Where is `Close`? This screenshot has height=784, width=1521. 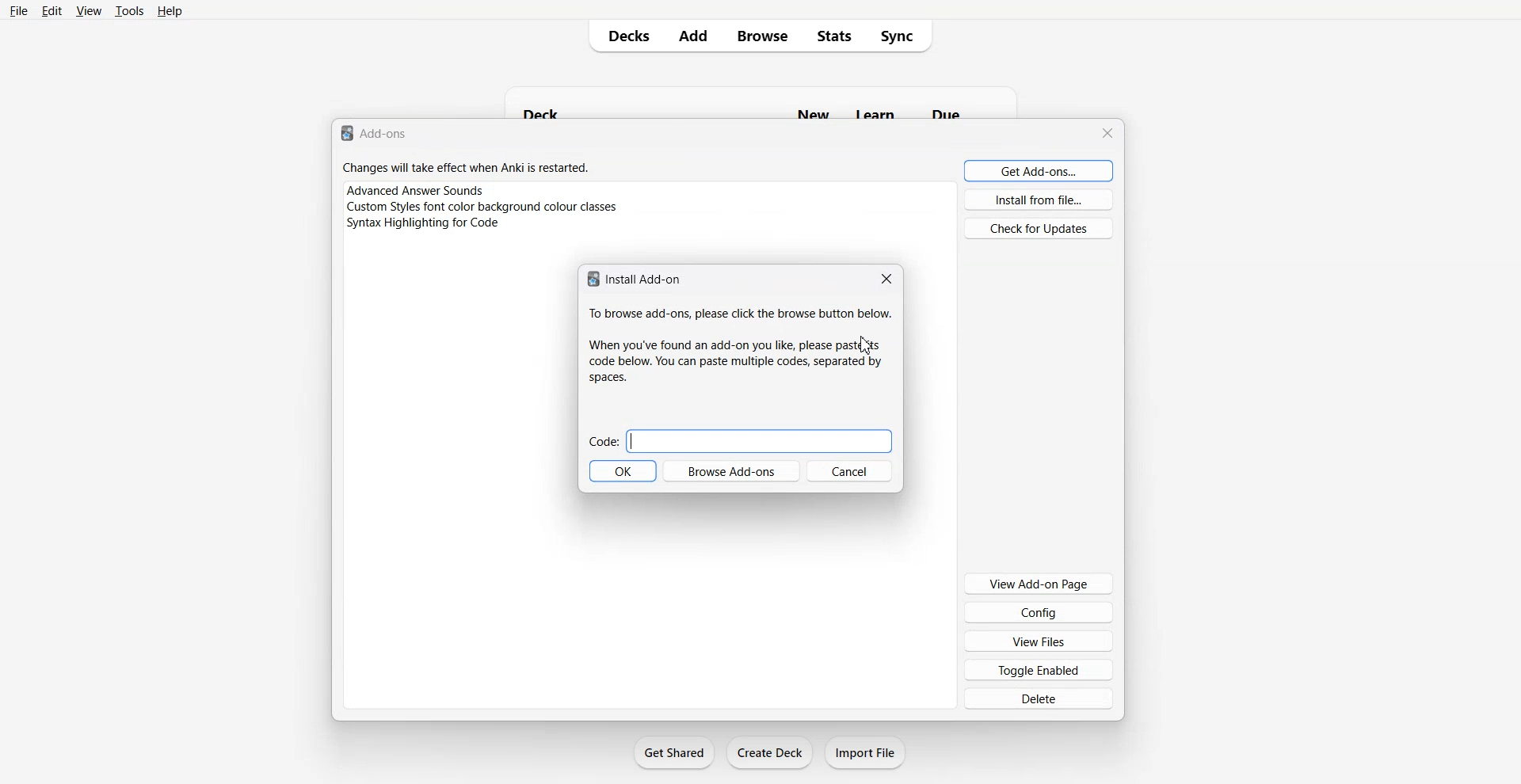 Close is located at coordinates (884, 279).